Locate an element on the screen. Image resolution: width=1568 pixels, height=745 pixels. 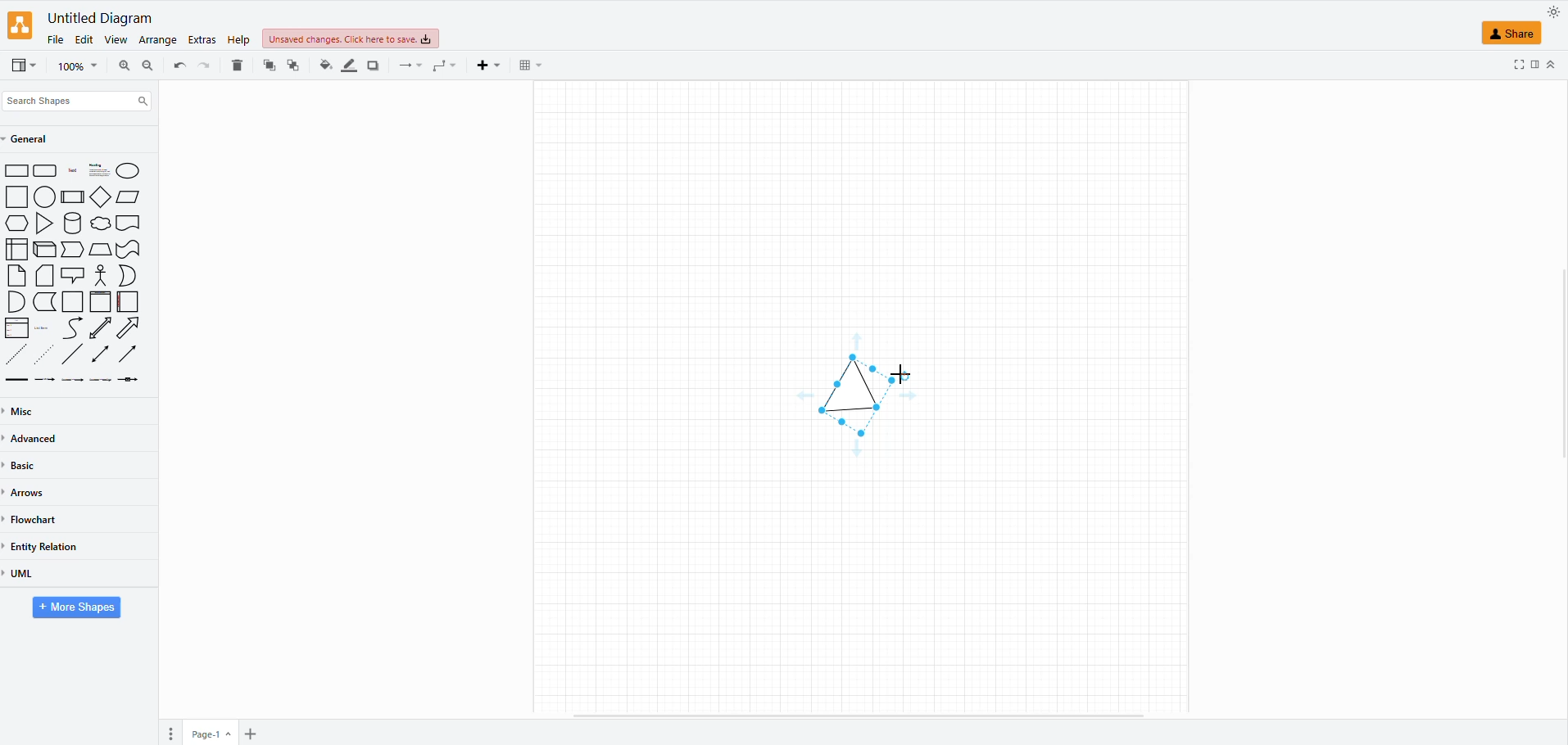
Labelled Arrow is located at coordinates (45, 381).